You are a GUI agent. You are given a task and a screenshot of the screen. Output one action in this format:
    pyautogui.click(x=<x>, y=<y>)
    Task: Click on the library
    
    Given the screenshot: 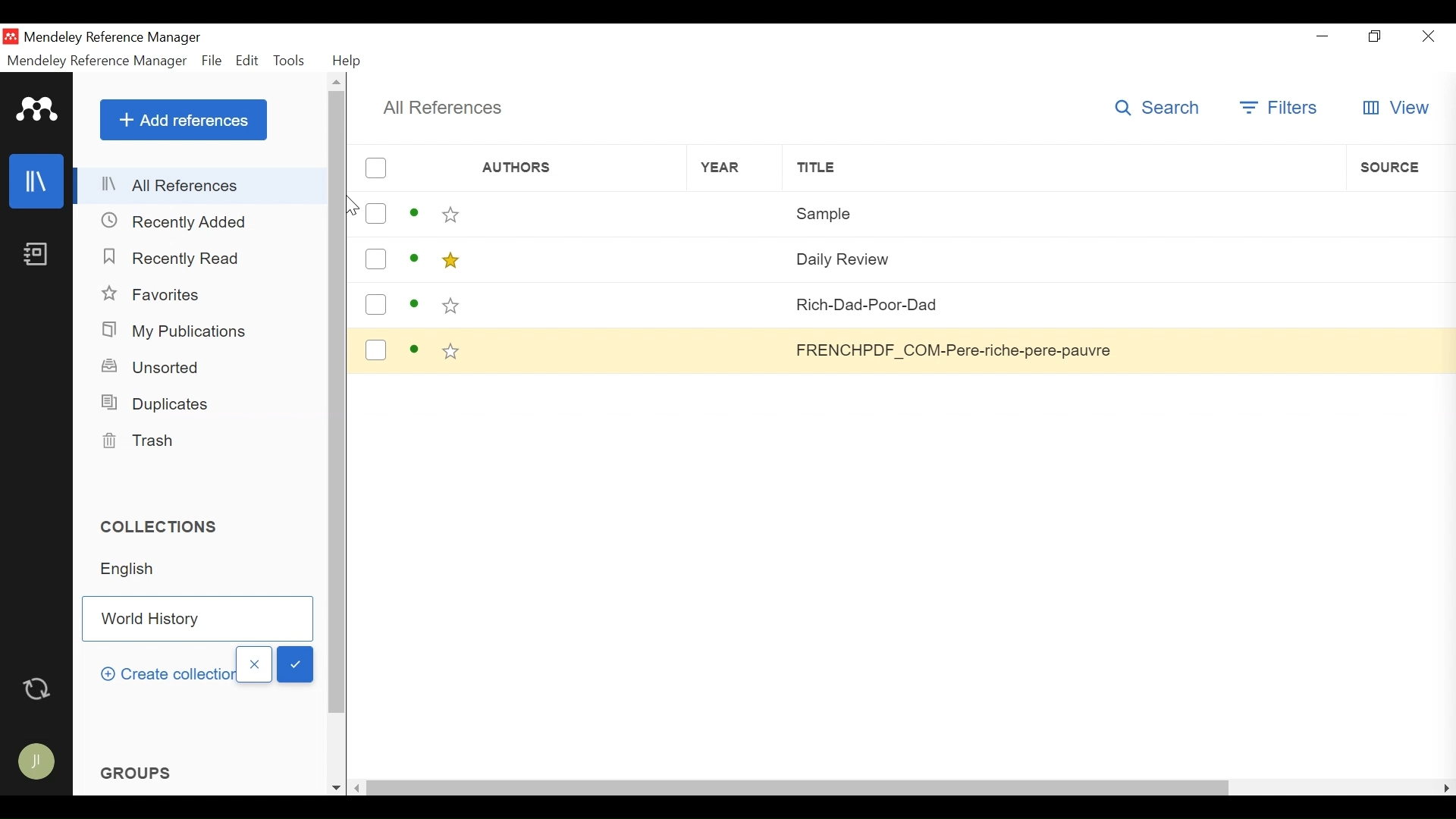 What is the action you would take?
    pyautogui.click(x=37, y=182)
    